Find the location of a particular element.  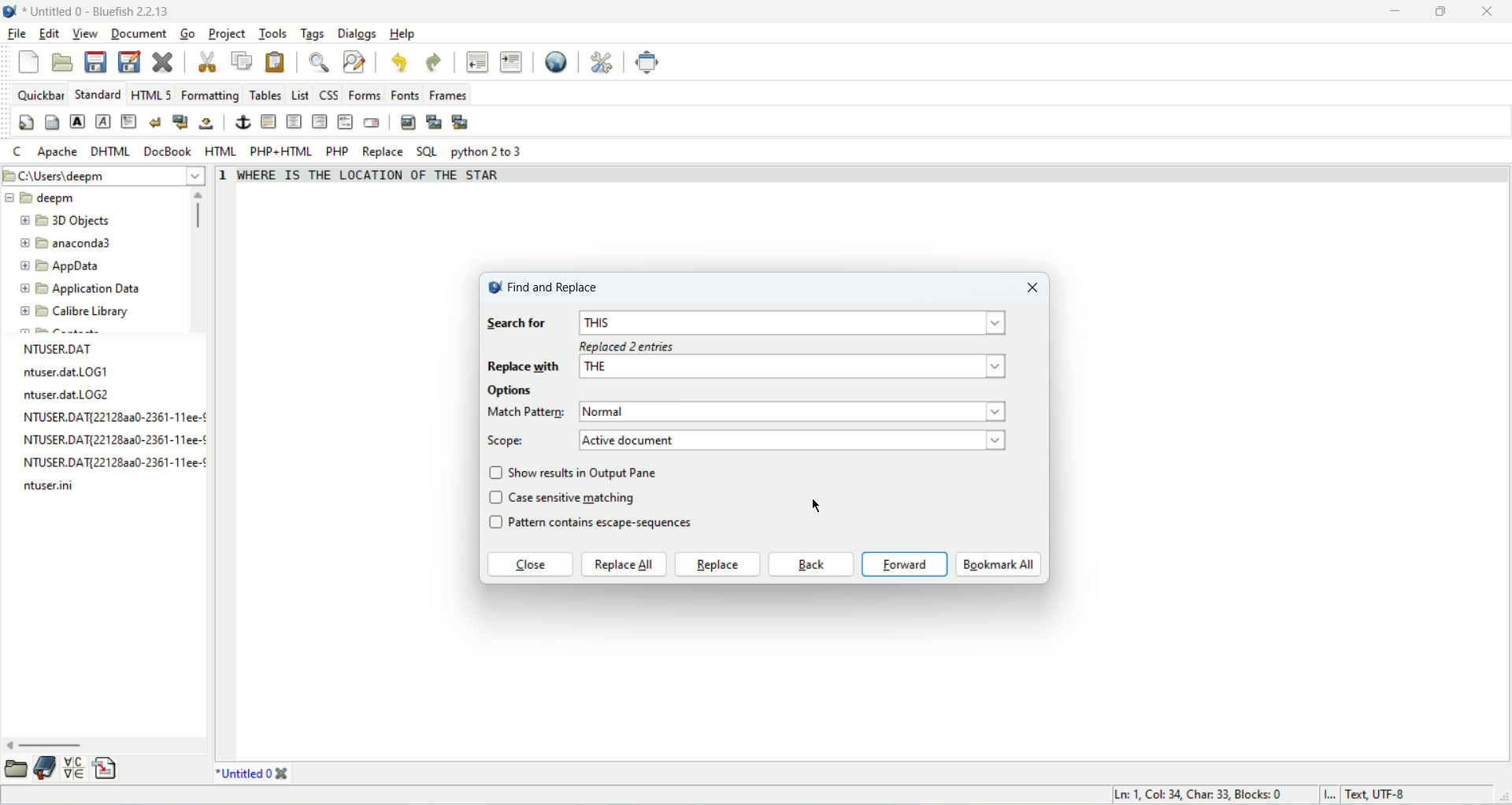

frames is located at coordinates (449, 96).